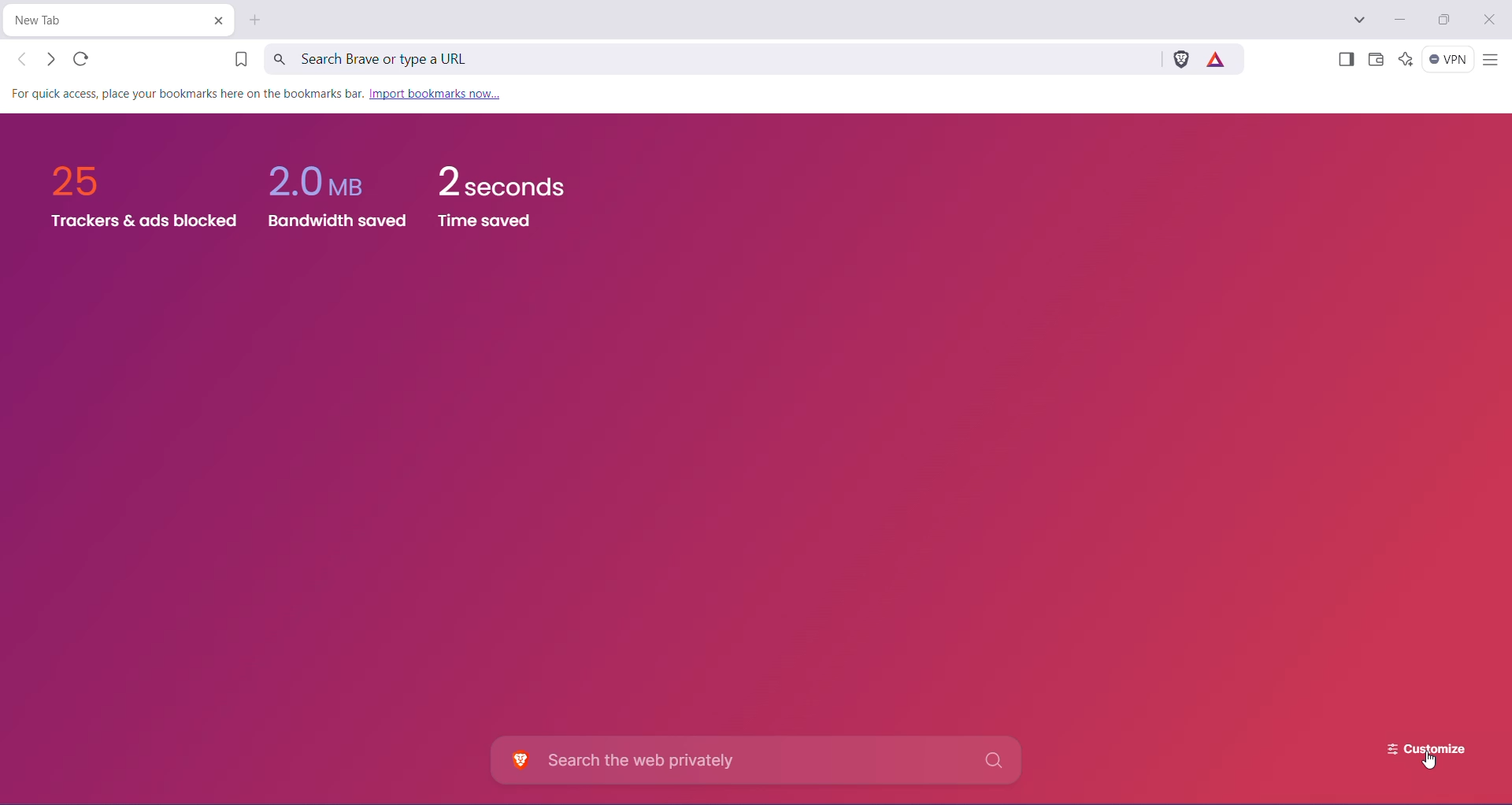  What do you see at coordinates (1432, 762) in the screenshot?
I see `cursor` at bounding box center [1432, 762].